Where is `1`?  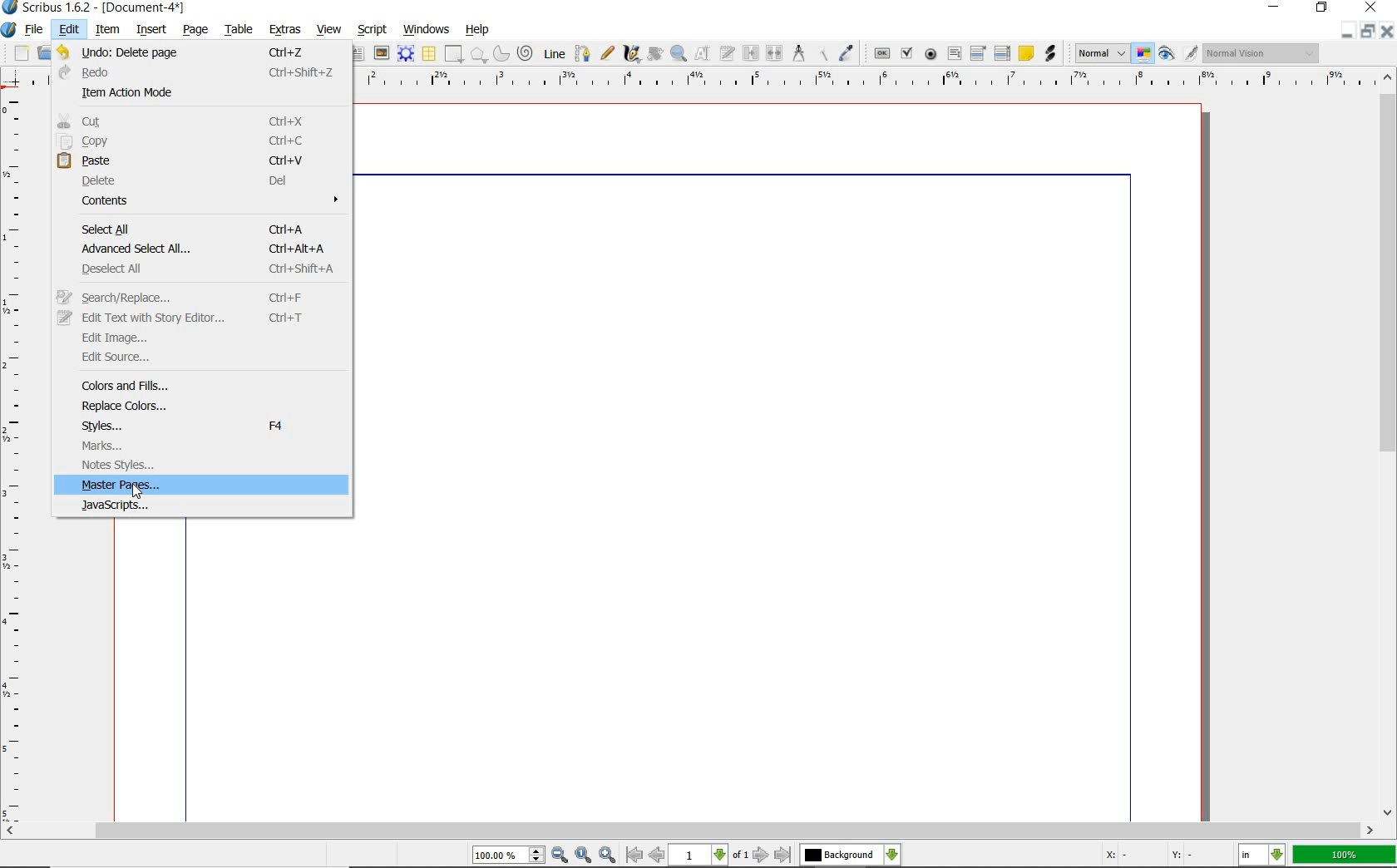
1 is located at coordinates (699, 856).